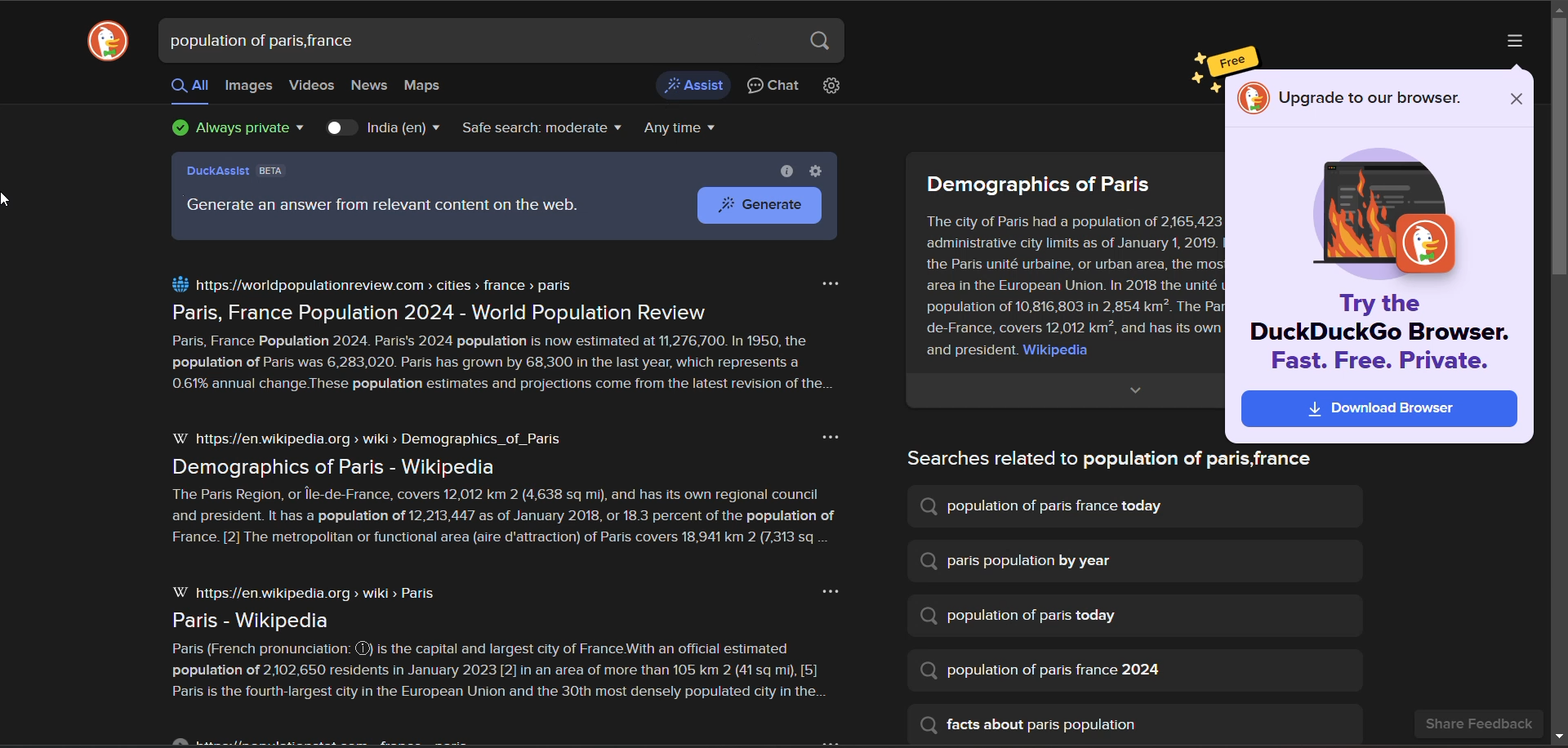  What do you see at coordinates (240, 131) in the screenshot?
I see `privacy protection badge` at bounding box center [240, 131].